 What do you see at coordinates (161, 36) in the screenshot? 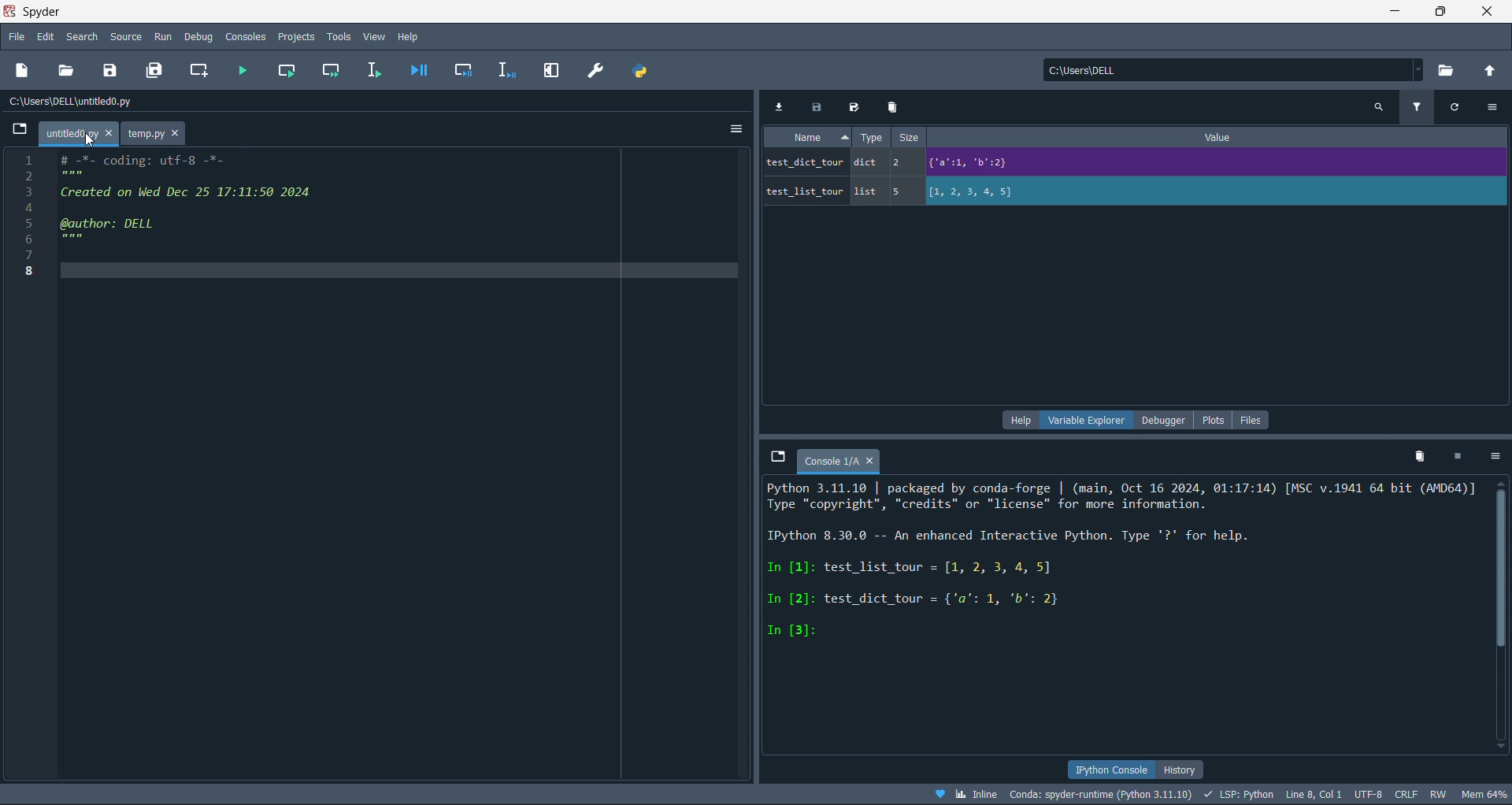
I see `run` at bounding box center [161, 36].